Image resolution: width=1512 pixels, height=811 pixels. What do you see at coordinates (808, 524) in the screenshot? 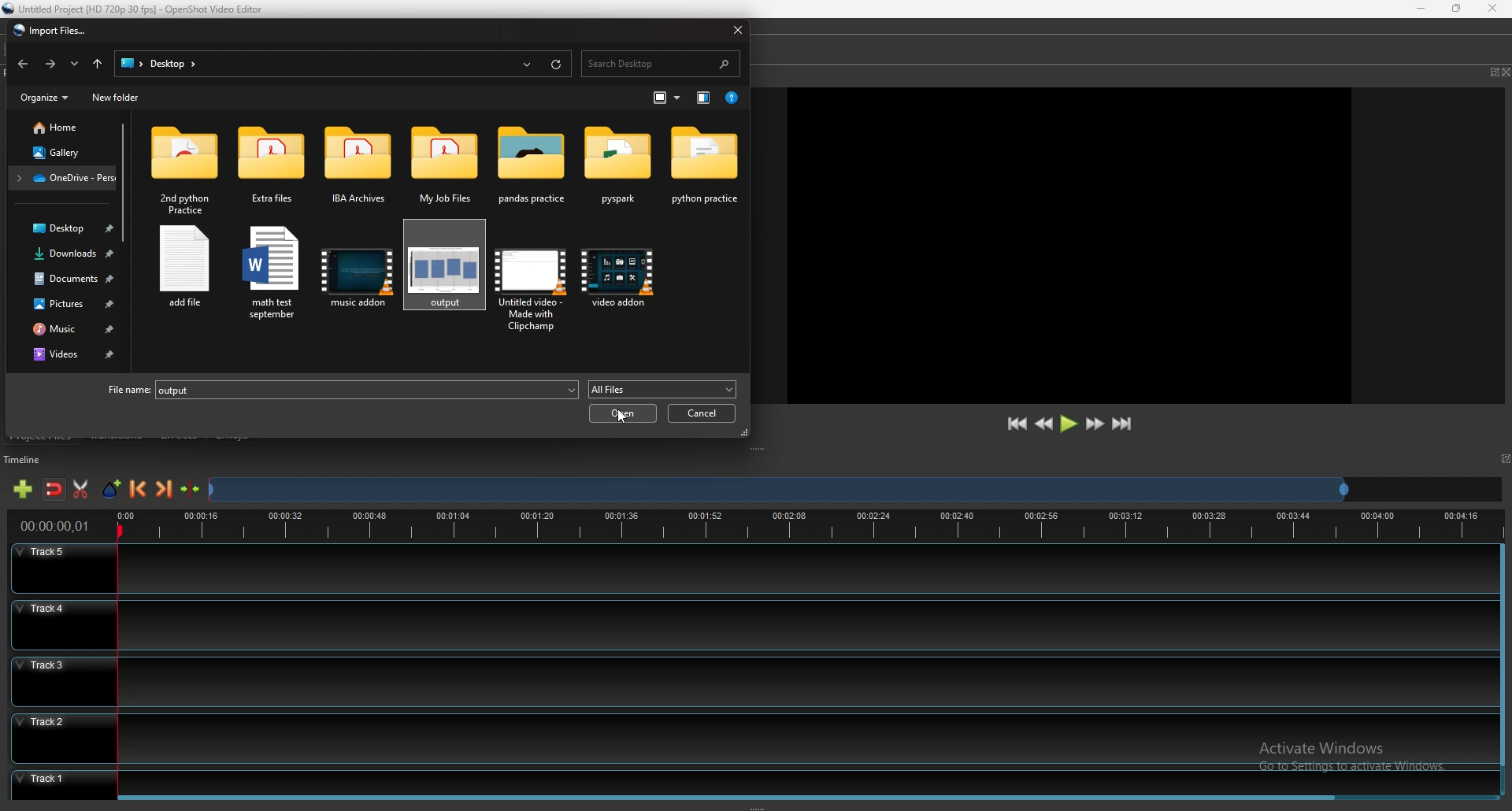
I see `time bar` at bounding box center [808, 524].